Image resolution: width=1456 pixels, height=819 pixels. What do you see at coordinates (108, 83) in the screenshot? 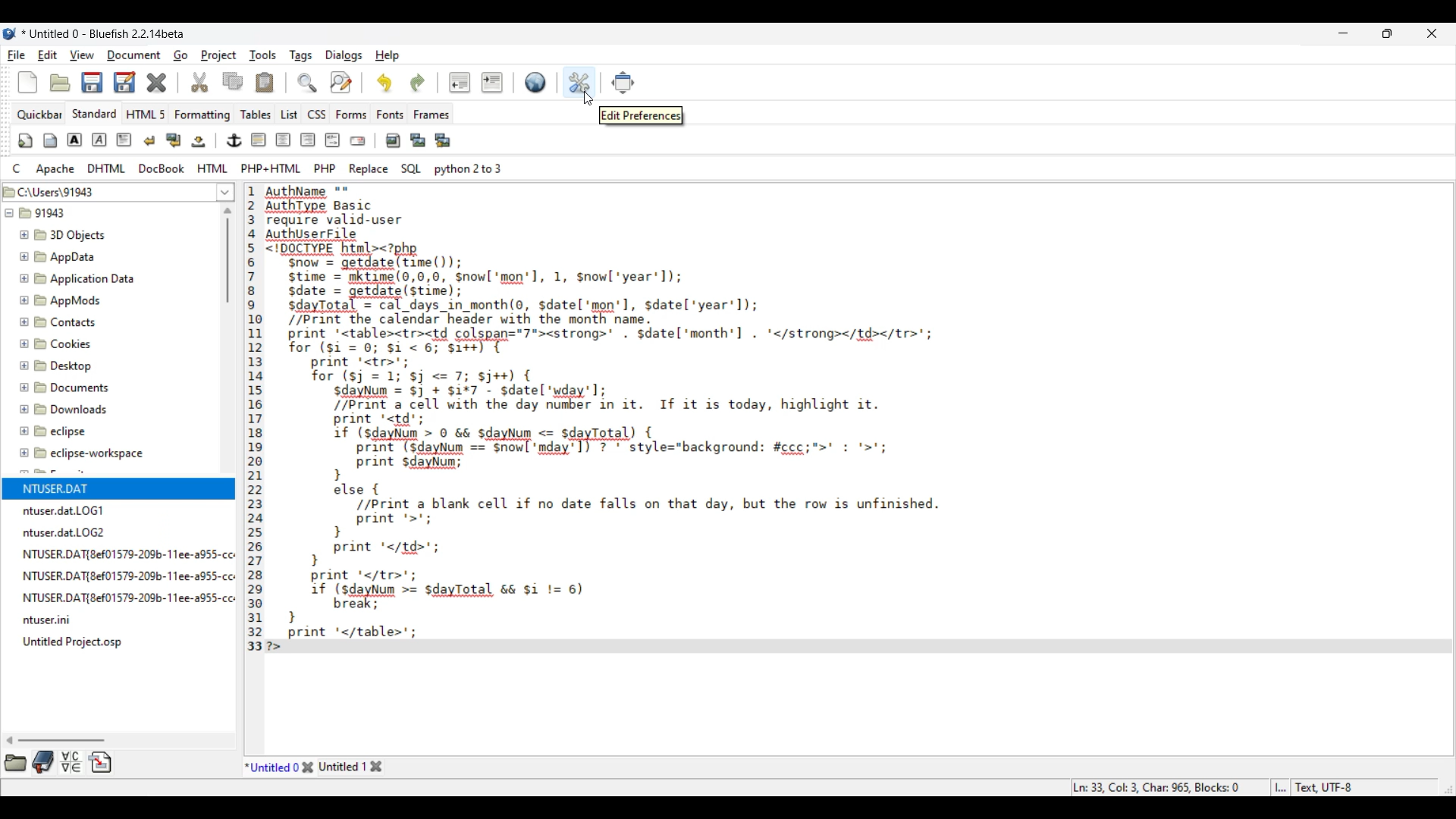
I see `Save options` at bounding box center [108, 83].